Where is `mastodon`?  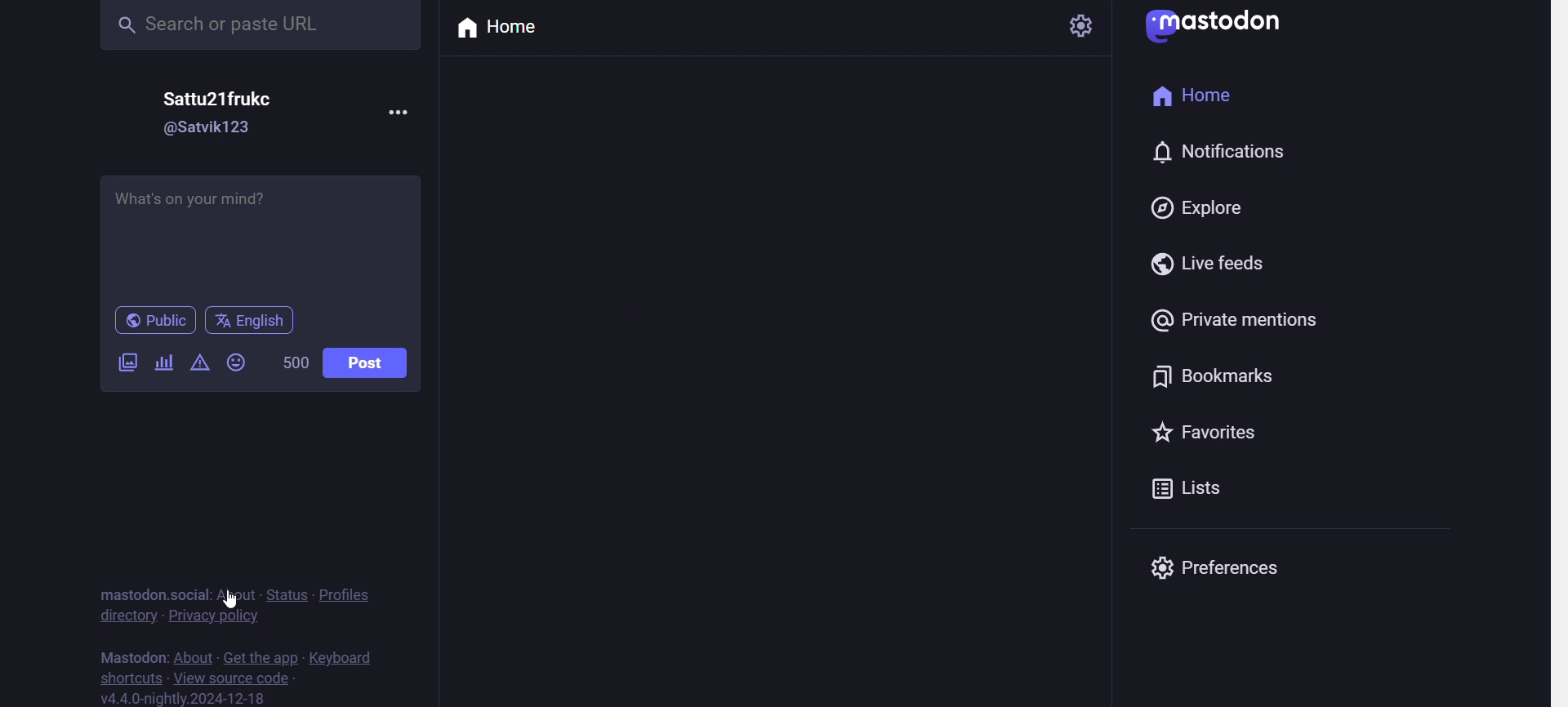 mastodon is located at coordinates (128, 652).